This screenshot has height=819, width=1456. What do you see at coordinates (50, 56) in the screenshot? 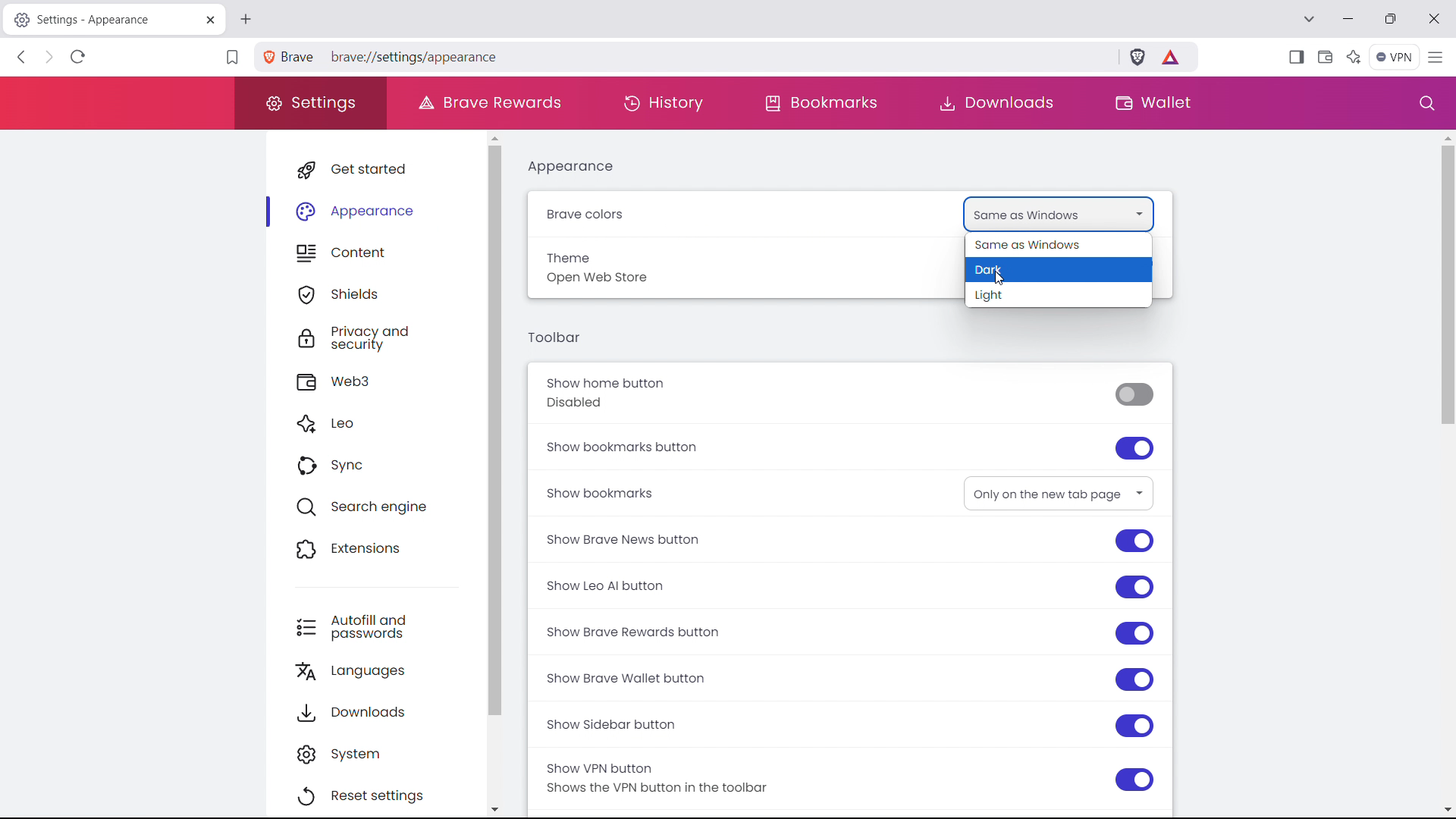
I see `click to go forward, hold to see history` at bounding box center [50, 56].